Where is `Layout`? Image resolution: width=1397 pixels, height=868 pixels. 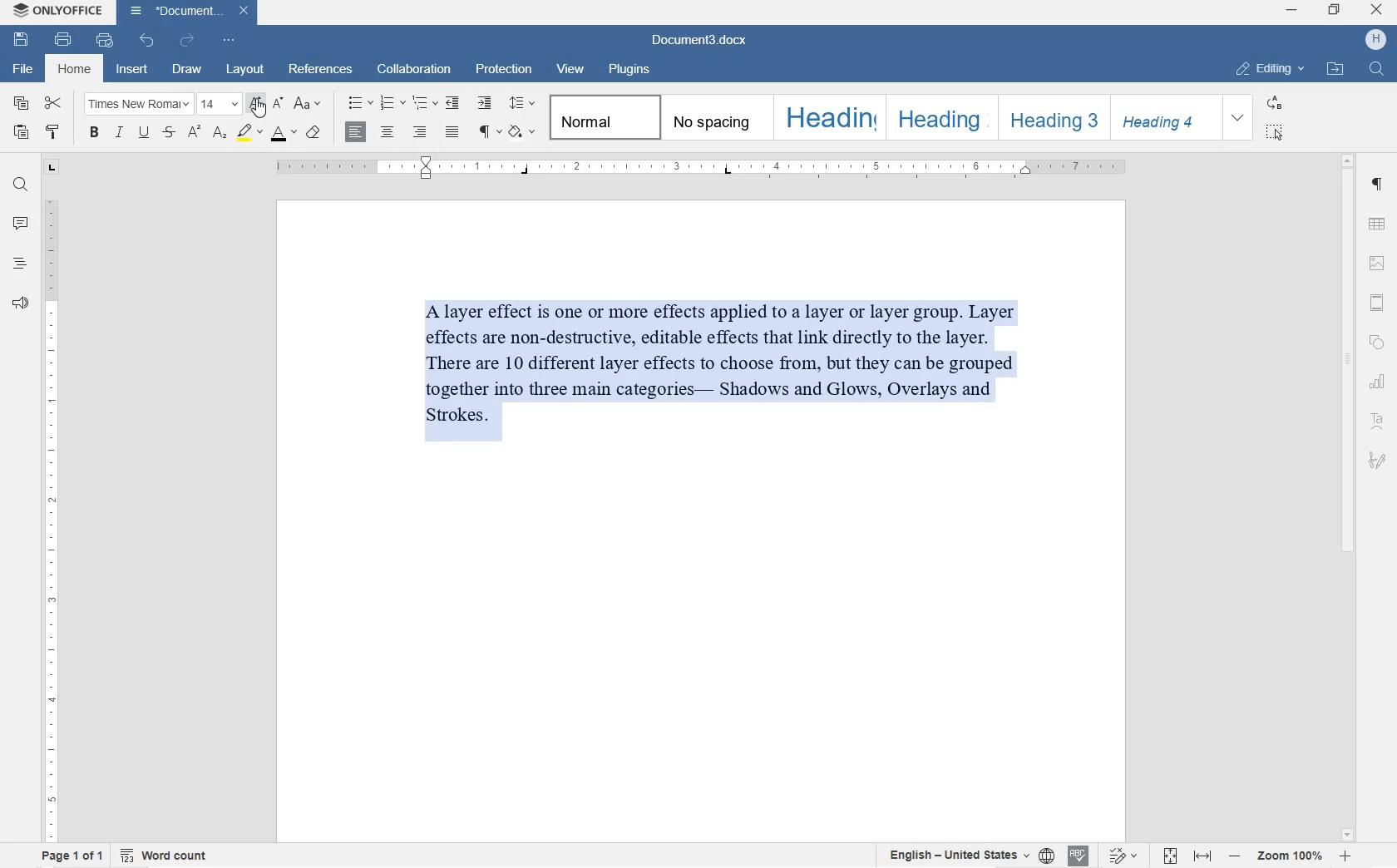
Layout is located at coordinates (244, 70).